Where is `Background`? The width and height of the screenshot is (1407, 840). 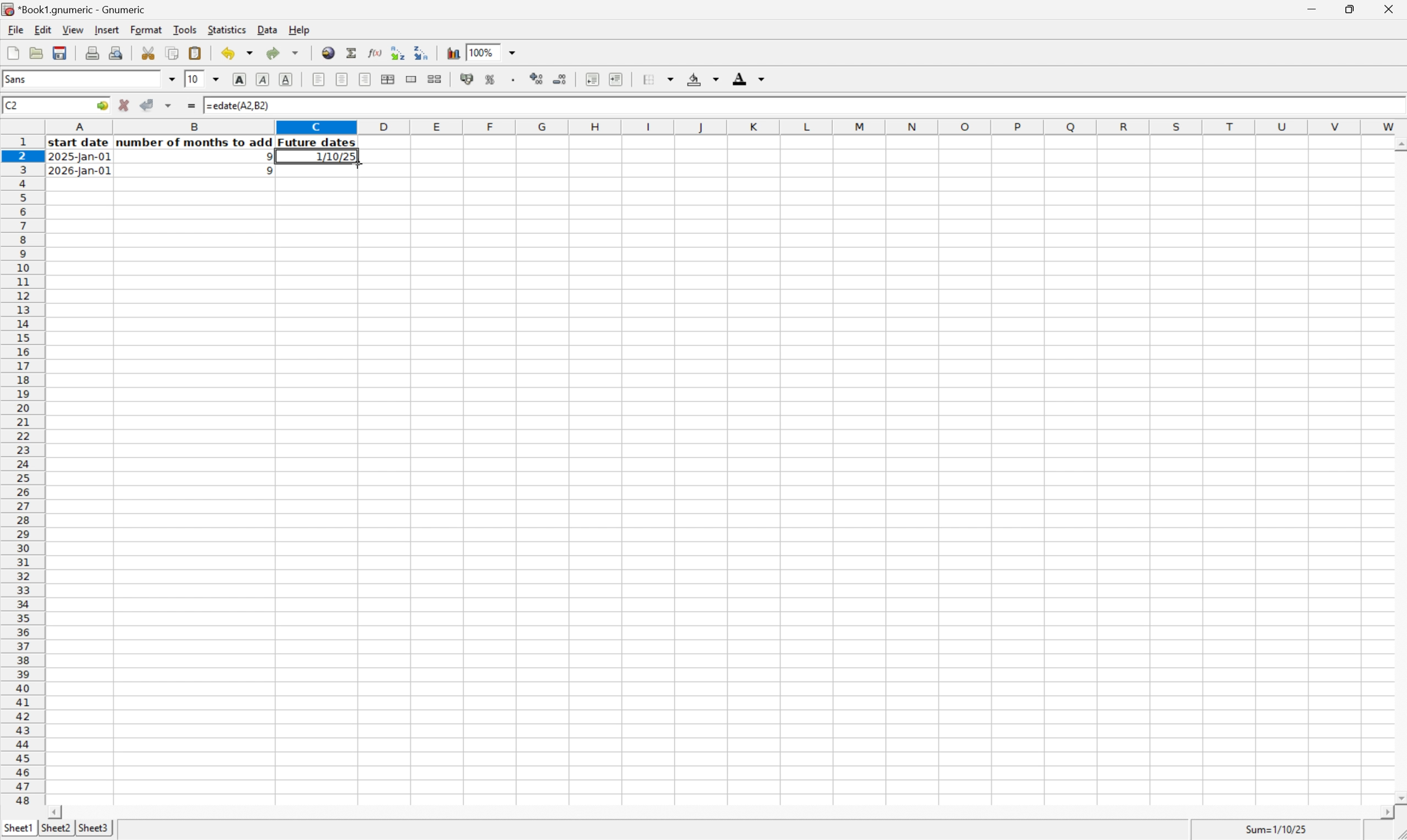
Background is located at coordinates (703, 79).